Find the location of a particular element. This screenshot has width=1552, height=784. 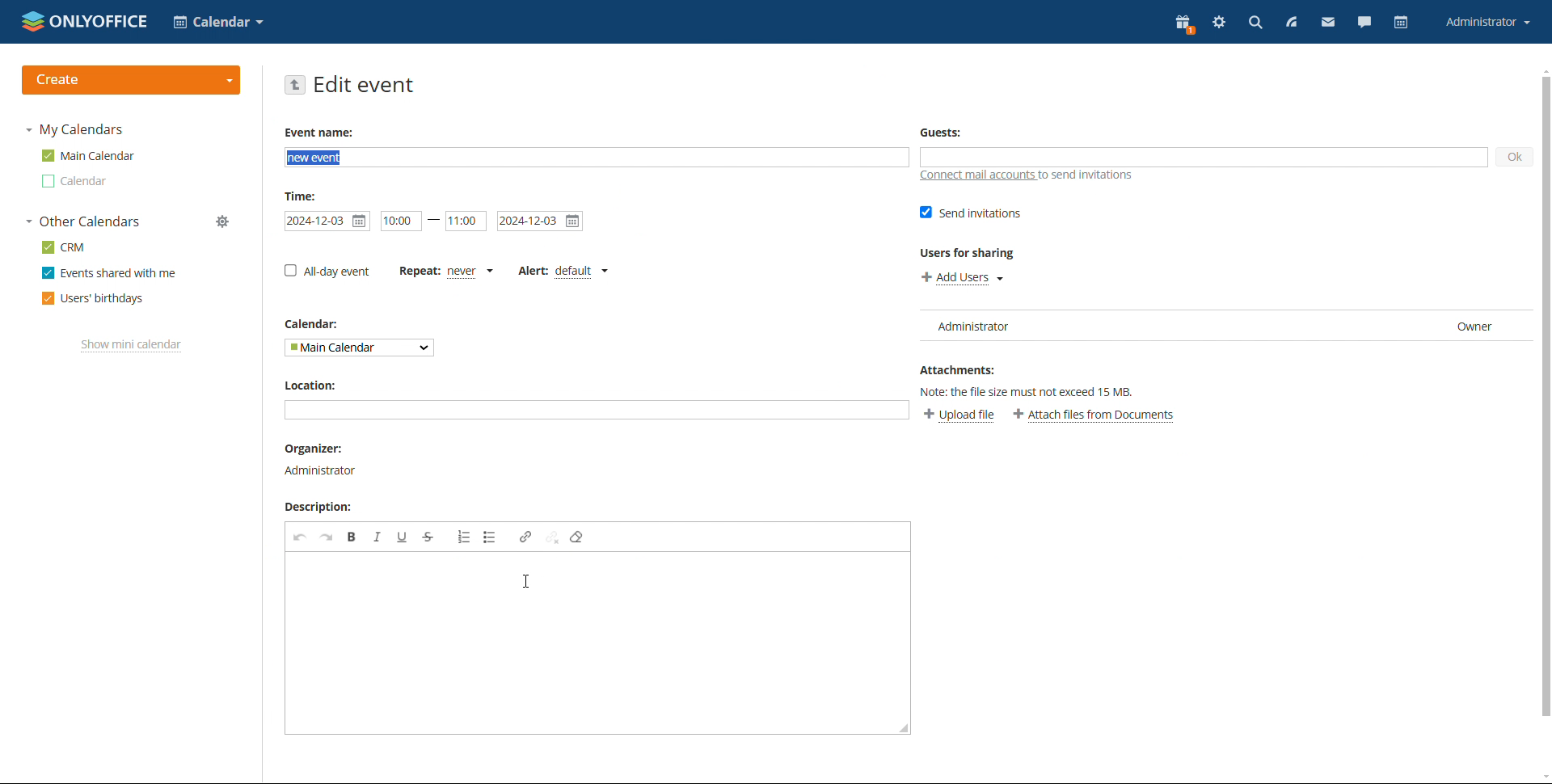

link is located at coordinates (526, 536).